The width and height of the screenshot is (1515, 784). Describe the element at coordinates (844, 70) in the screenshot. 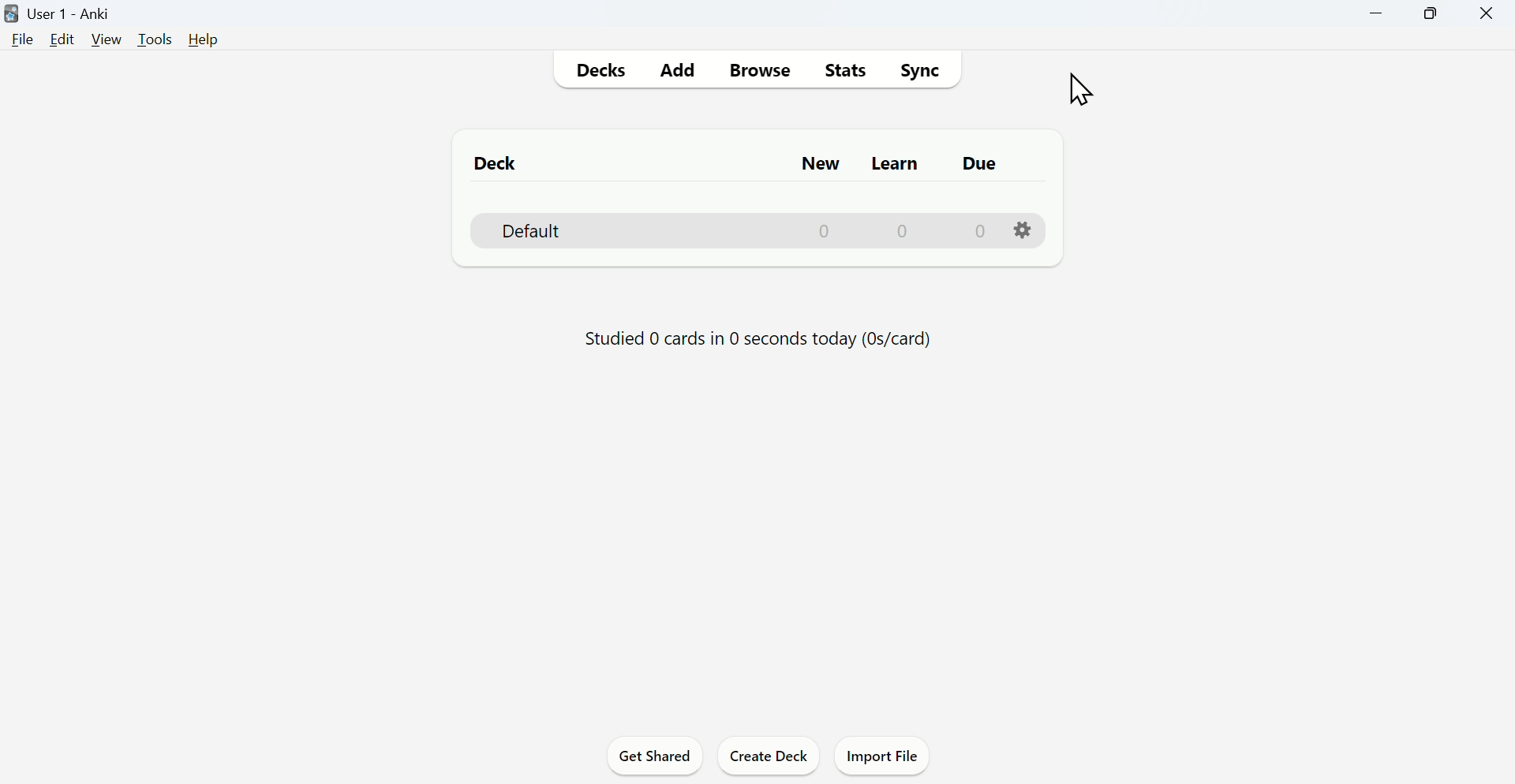

I see `Stats` at that location.